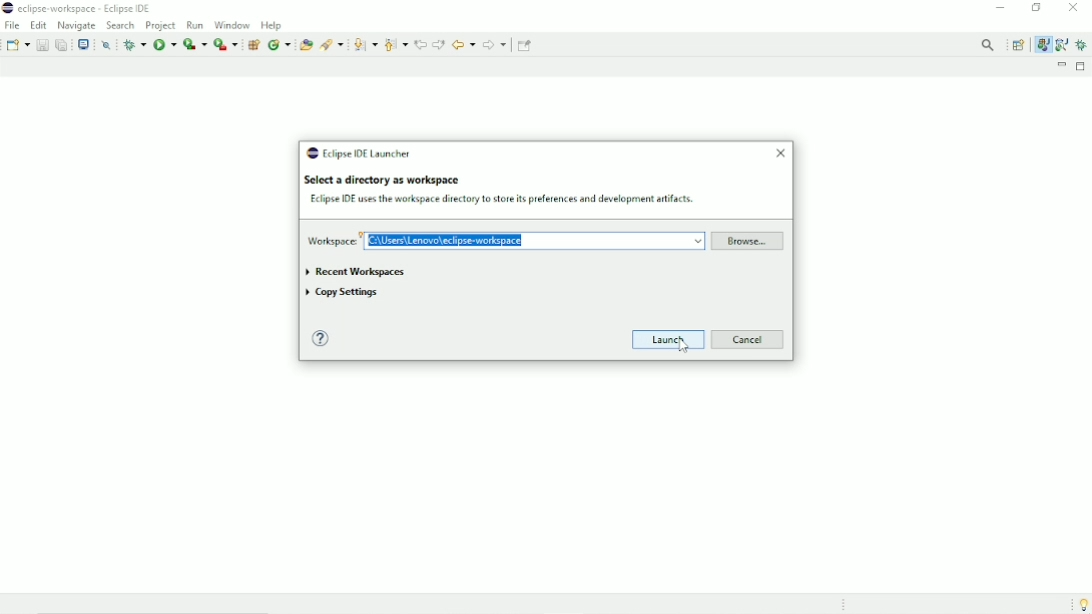  What do you see at coordinates (684, 346) in the screenshot?
I see `Cursor` at bounding box center [684, 346].